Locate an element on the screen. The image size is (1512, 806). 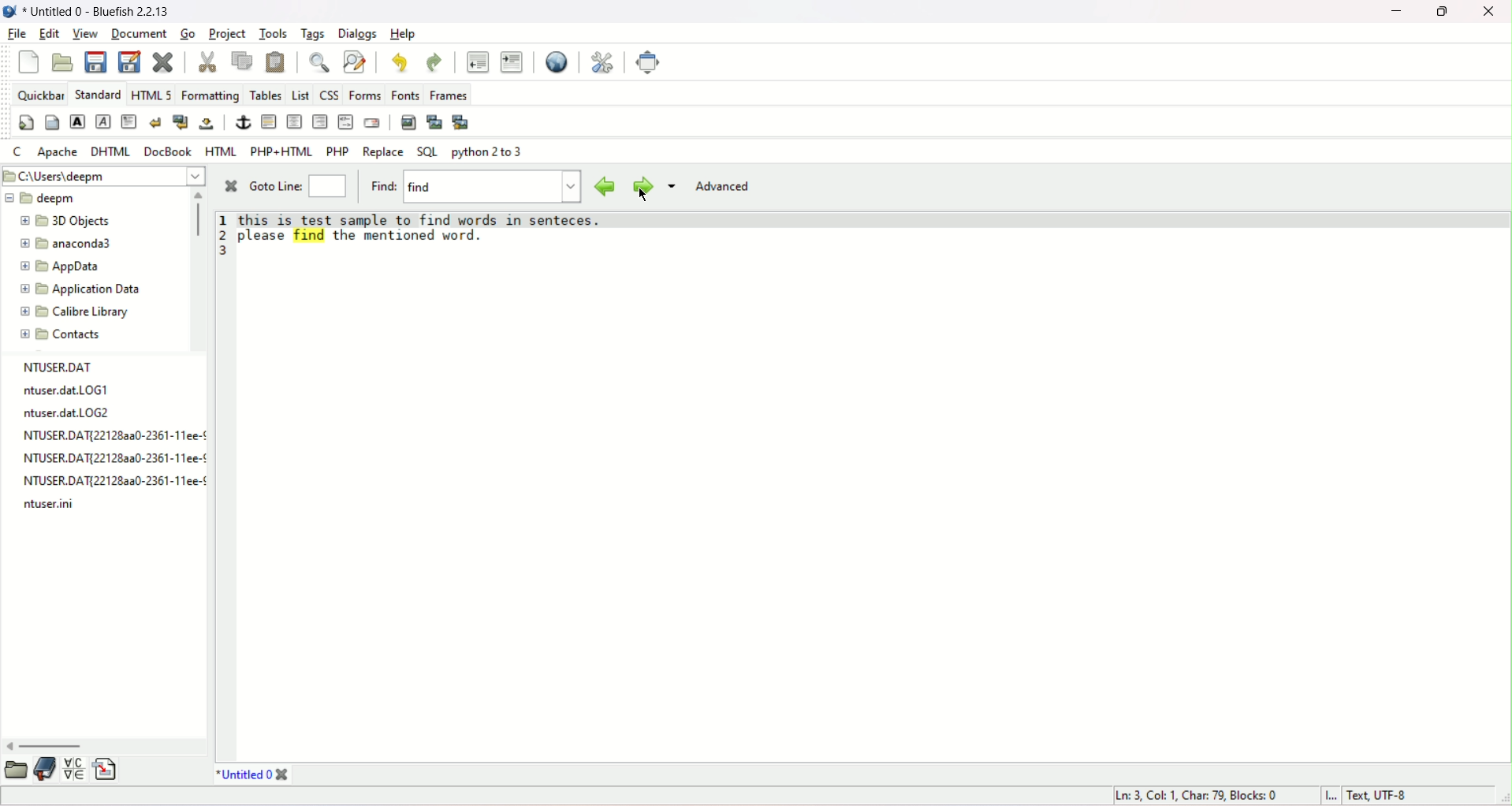
maximize is located at coordinates (1441, 12).